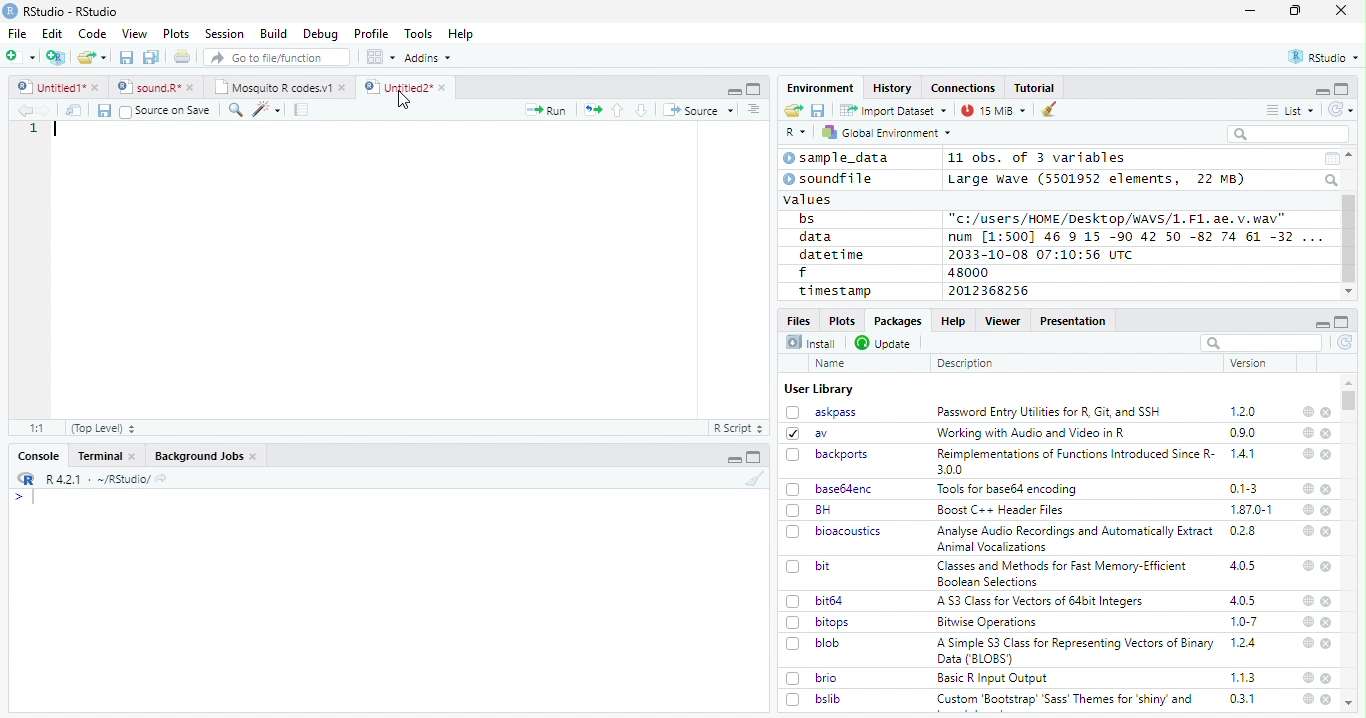 This screenshot has height=718, width=1366. What do you see at coordinates (223, 34) in the screenshot?
I see `Session` at bounding box center [223, 34].